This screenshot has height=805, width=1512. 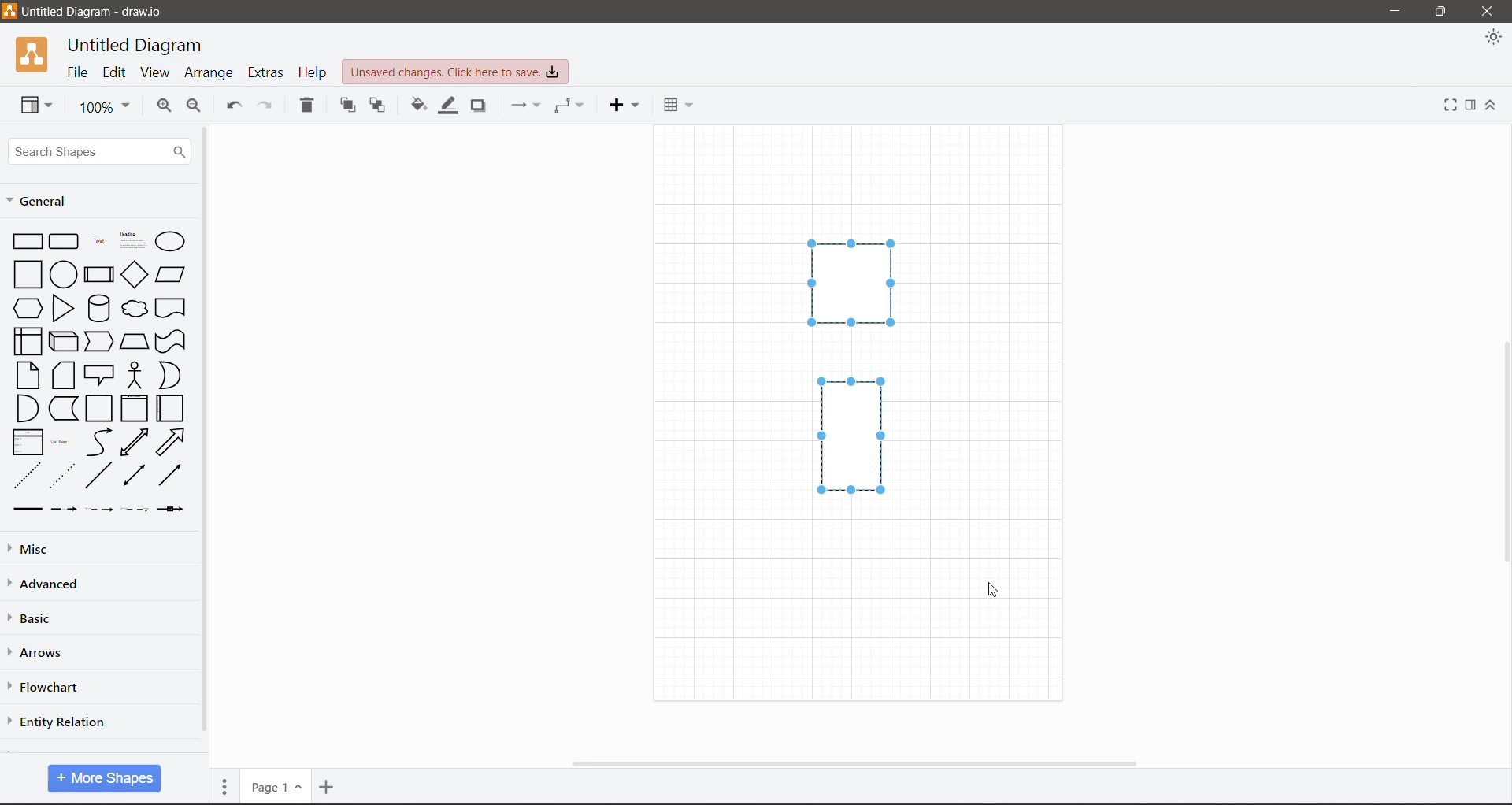 What do you see at coordinates (1492, 39) in the screenshot?
I see `Appearance` at bounding box center [1492, 39].